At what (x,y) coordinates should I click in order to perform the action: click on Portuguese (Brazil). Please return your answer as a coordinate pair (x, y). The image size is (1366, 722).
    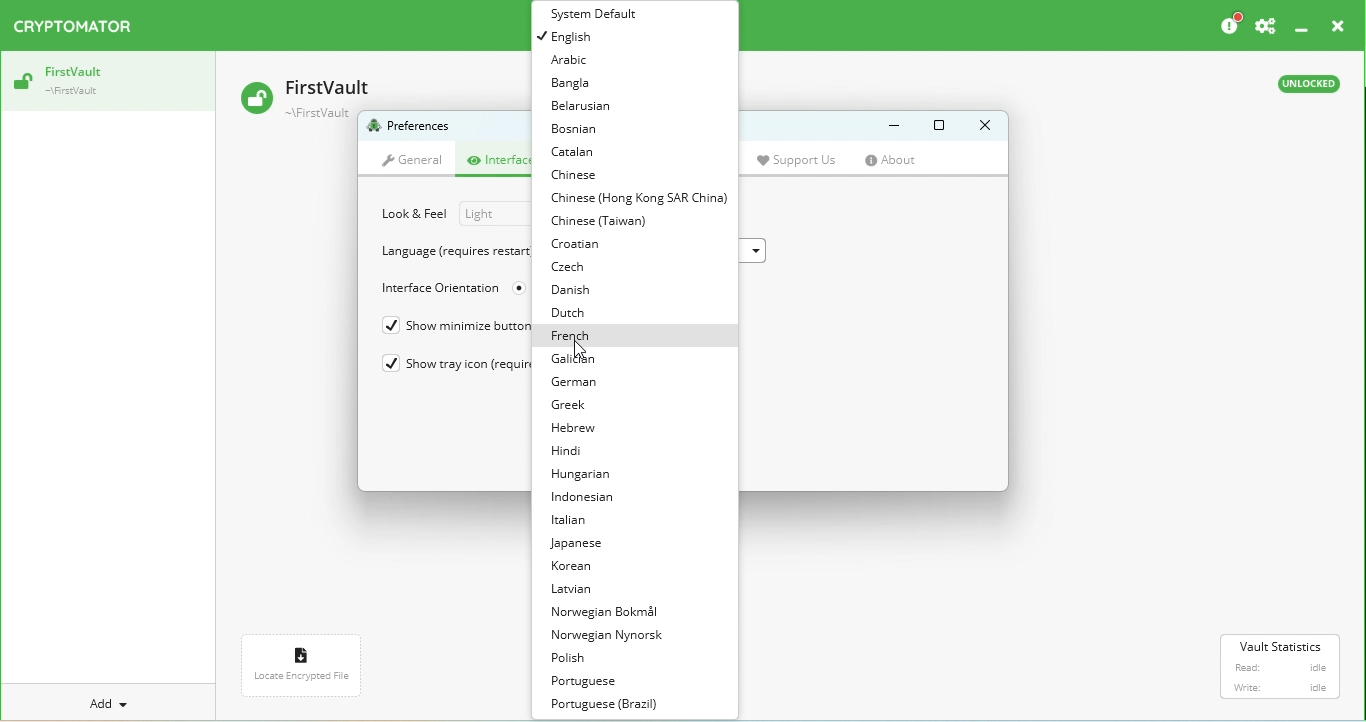
    Looking at the image, I should click on (611, 706).